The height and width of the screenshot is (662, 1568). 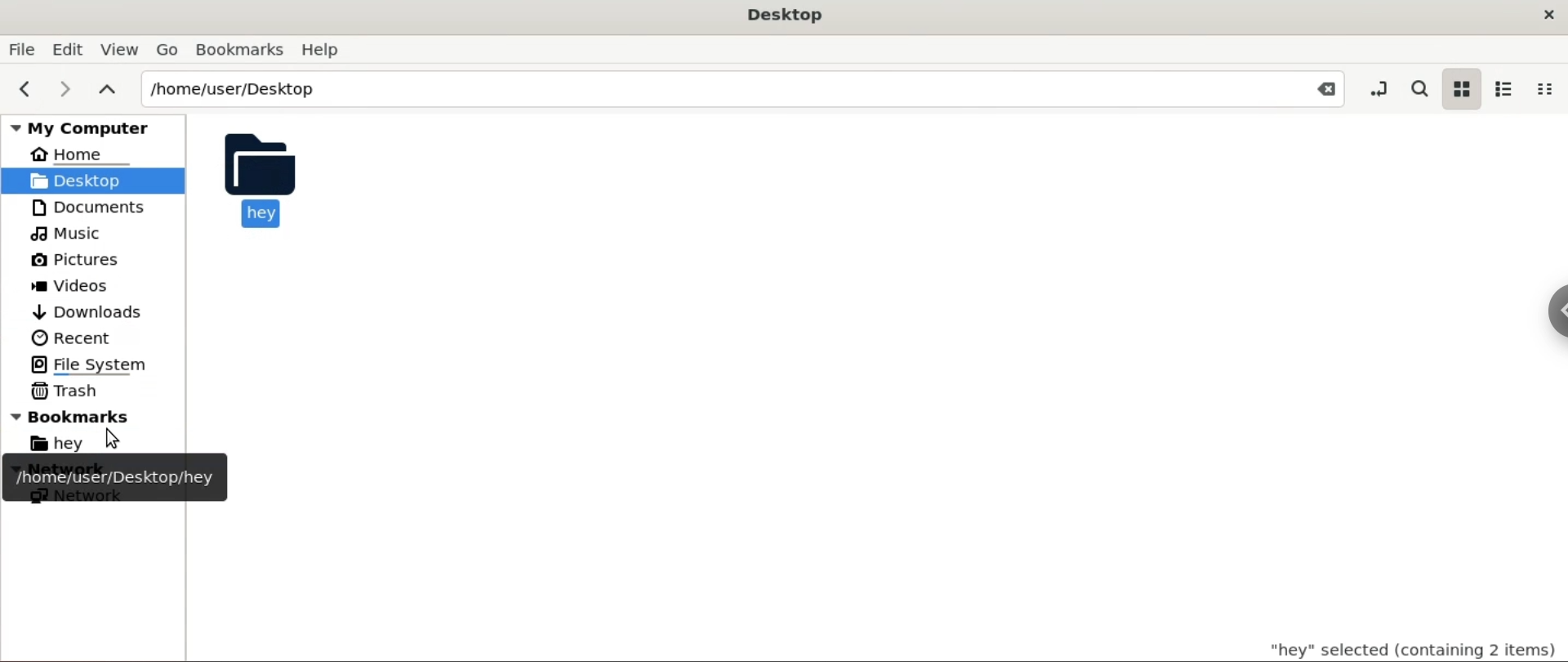 What do you see at coordinates (1391, 646) in the screenshot?
I see `"hey" selected (containing 2 items)` at bounding box center [1391, 646].